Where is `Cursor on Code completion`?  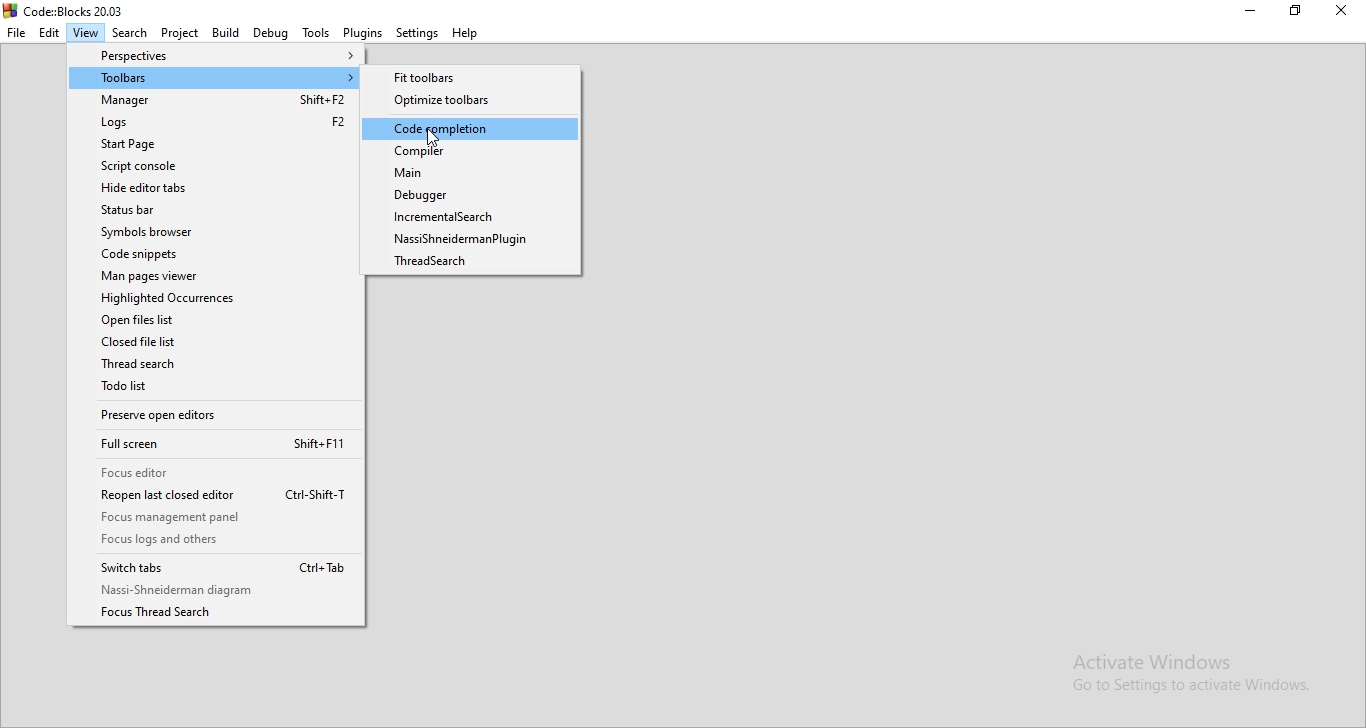
Cursor on Code completion is located at coordinates (436, 137).